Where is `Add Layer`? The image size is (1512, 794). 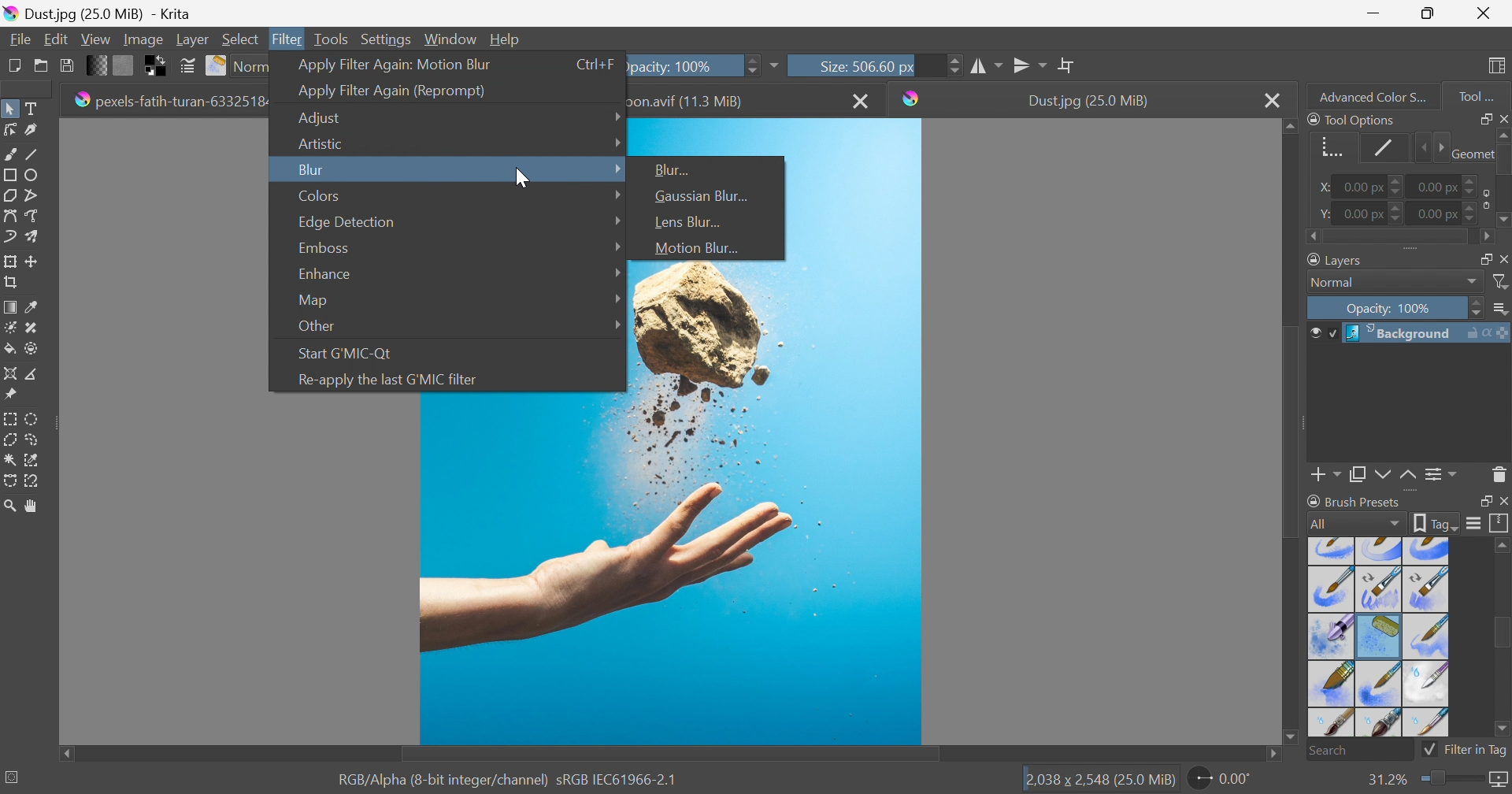 Add Layer is located at coordinates (1326, 477).